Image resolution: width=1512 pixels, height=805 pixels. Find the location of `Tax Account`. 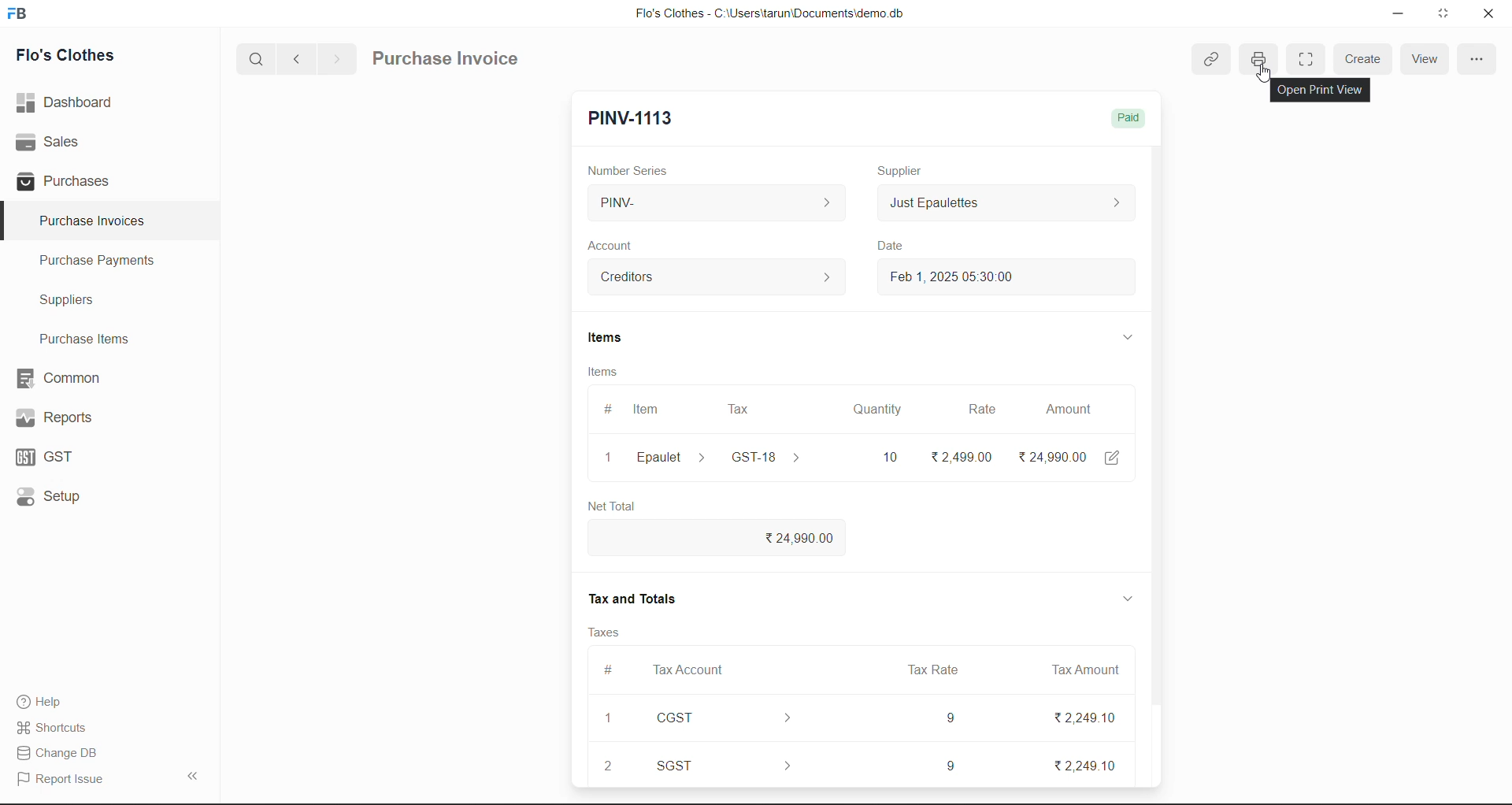

Tax Account is located at coordinates (695, 668).